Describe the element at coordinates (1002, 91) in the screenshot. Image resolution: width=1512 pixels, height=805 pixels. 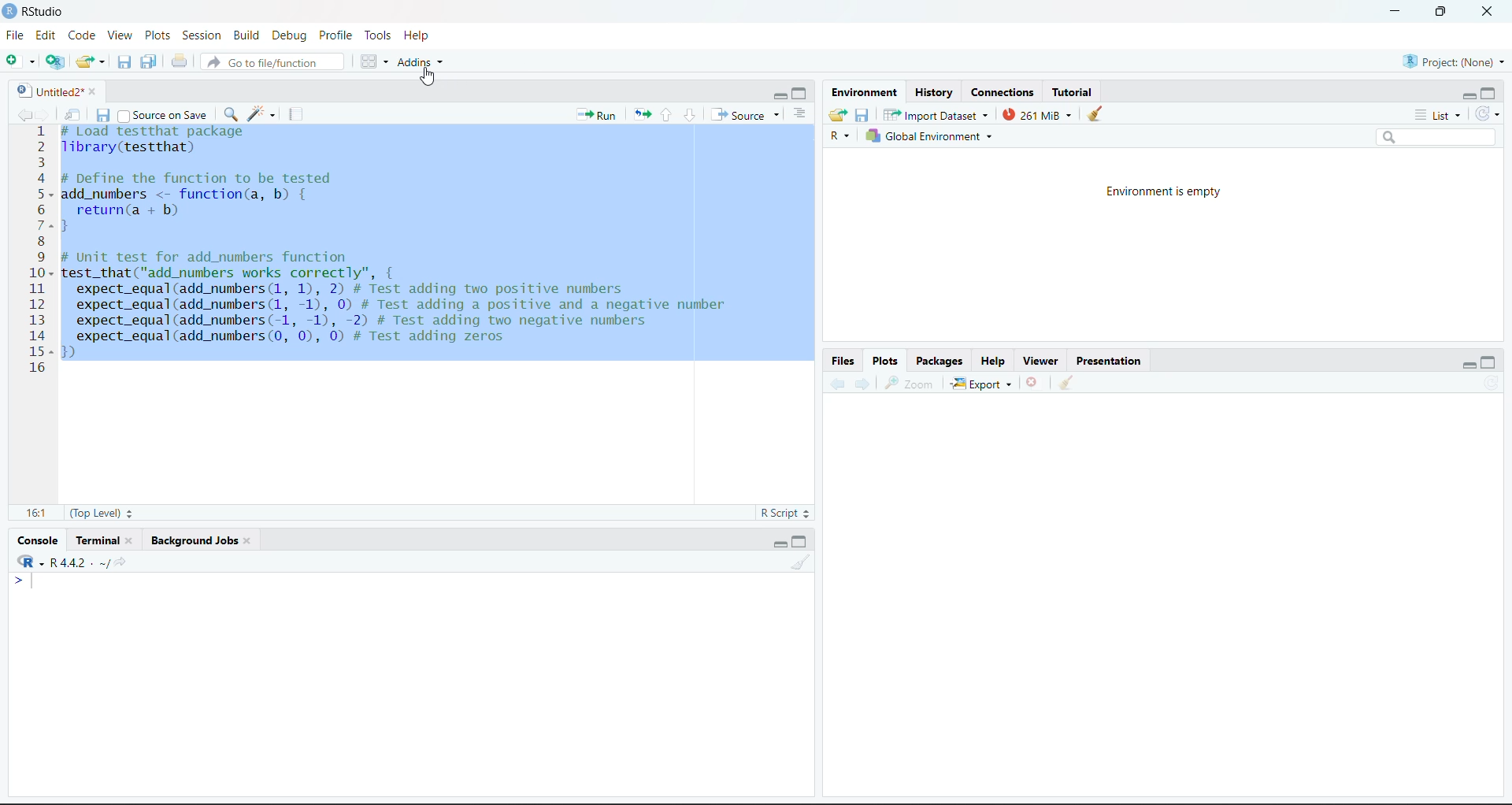
I see `Connections` at that location.